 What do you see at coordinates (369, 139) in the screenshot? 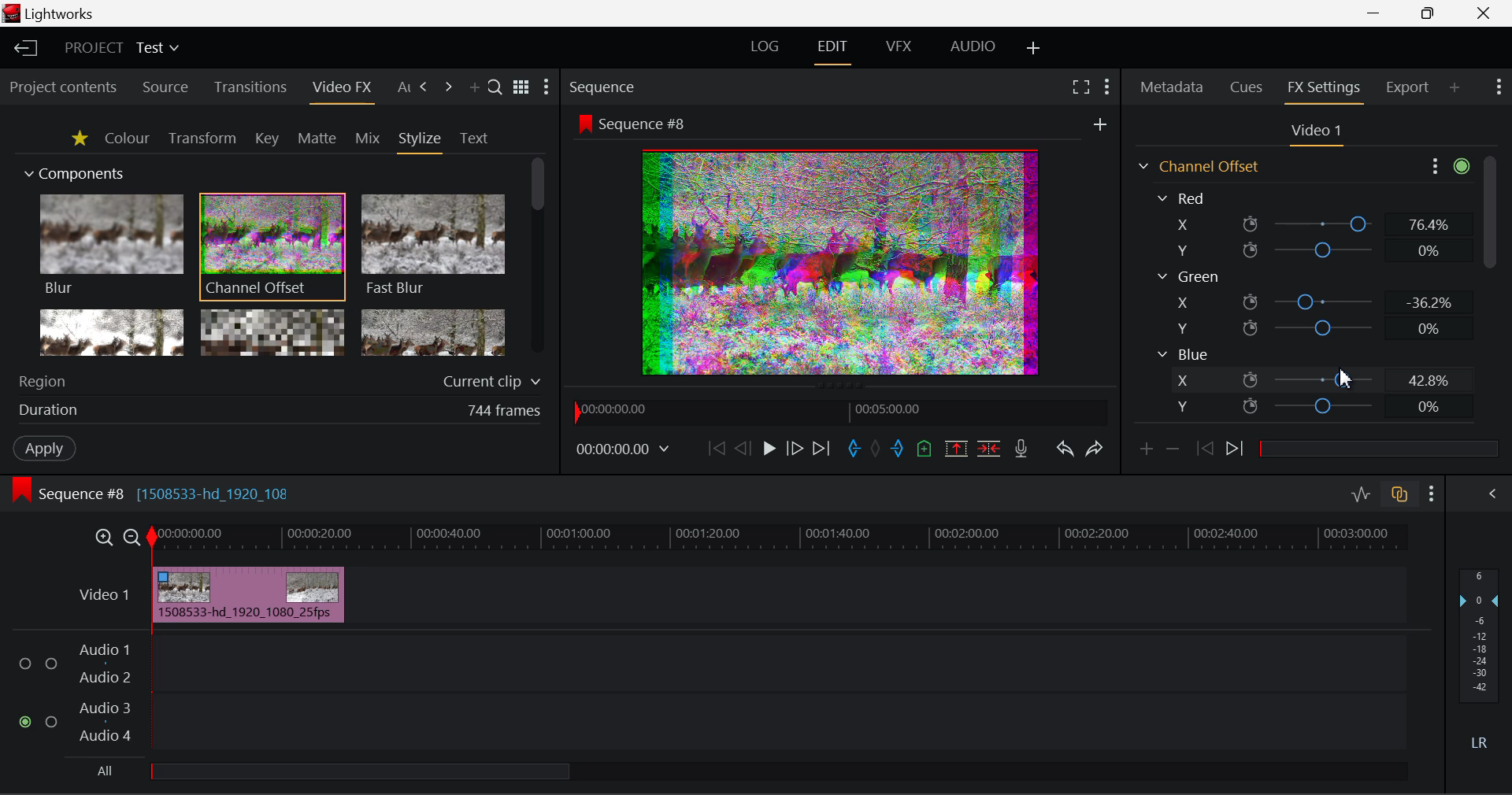
I see `Mix` at bounding box center [369, 139].